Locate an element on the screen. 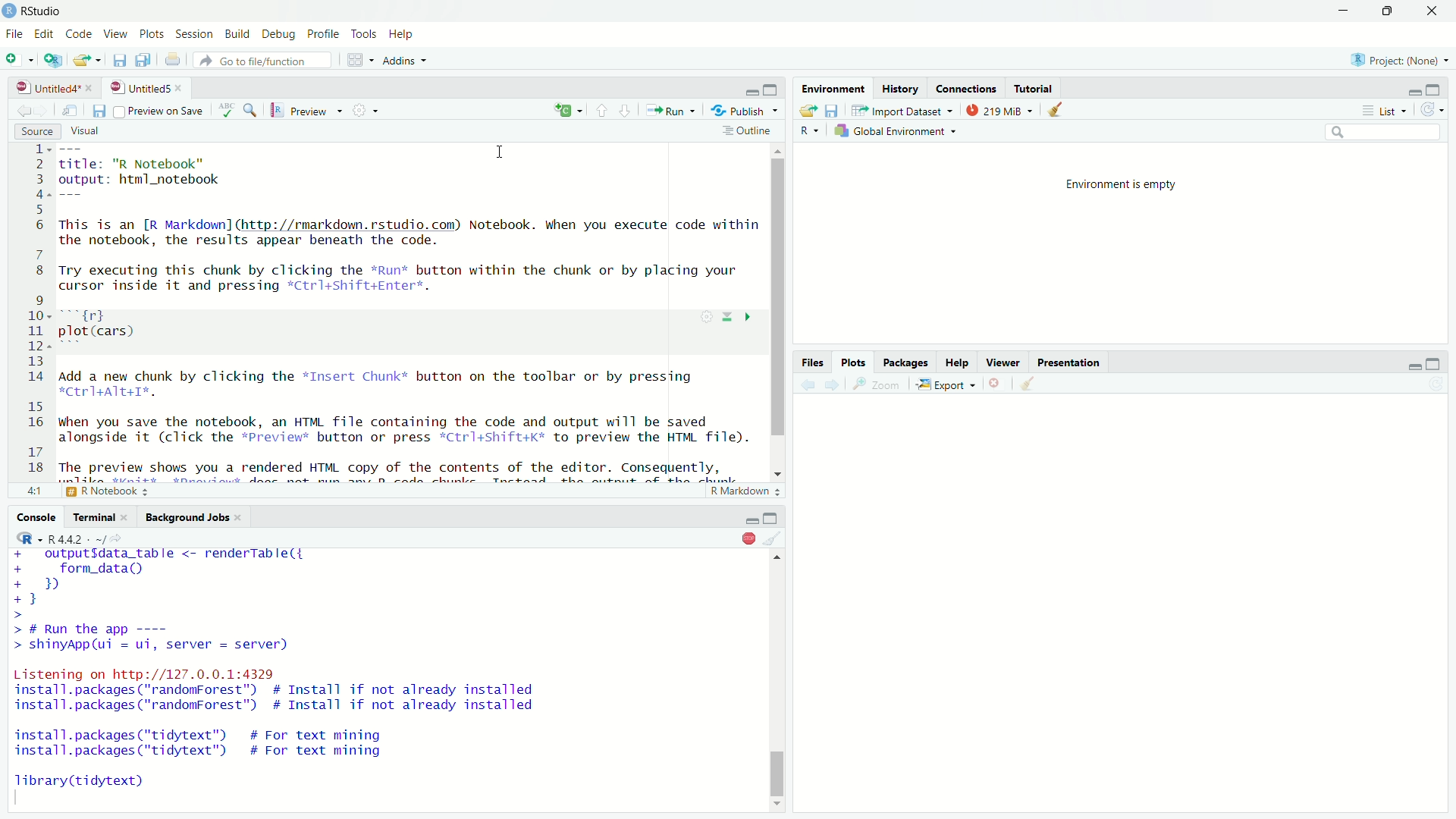 This screenshot has width=1456, height=819. packages is located at coordinates (906, 362).